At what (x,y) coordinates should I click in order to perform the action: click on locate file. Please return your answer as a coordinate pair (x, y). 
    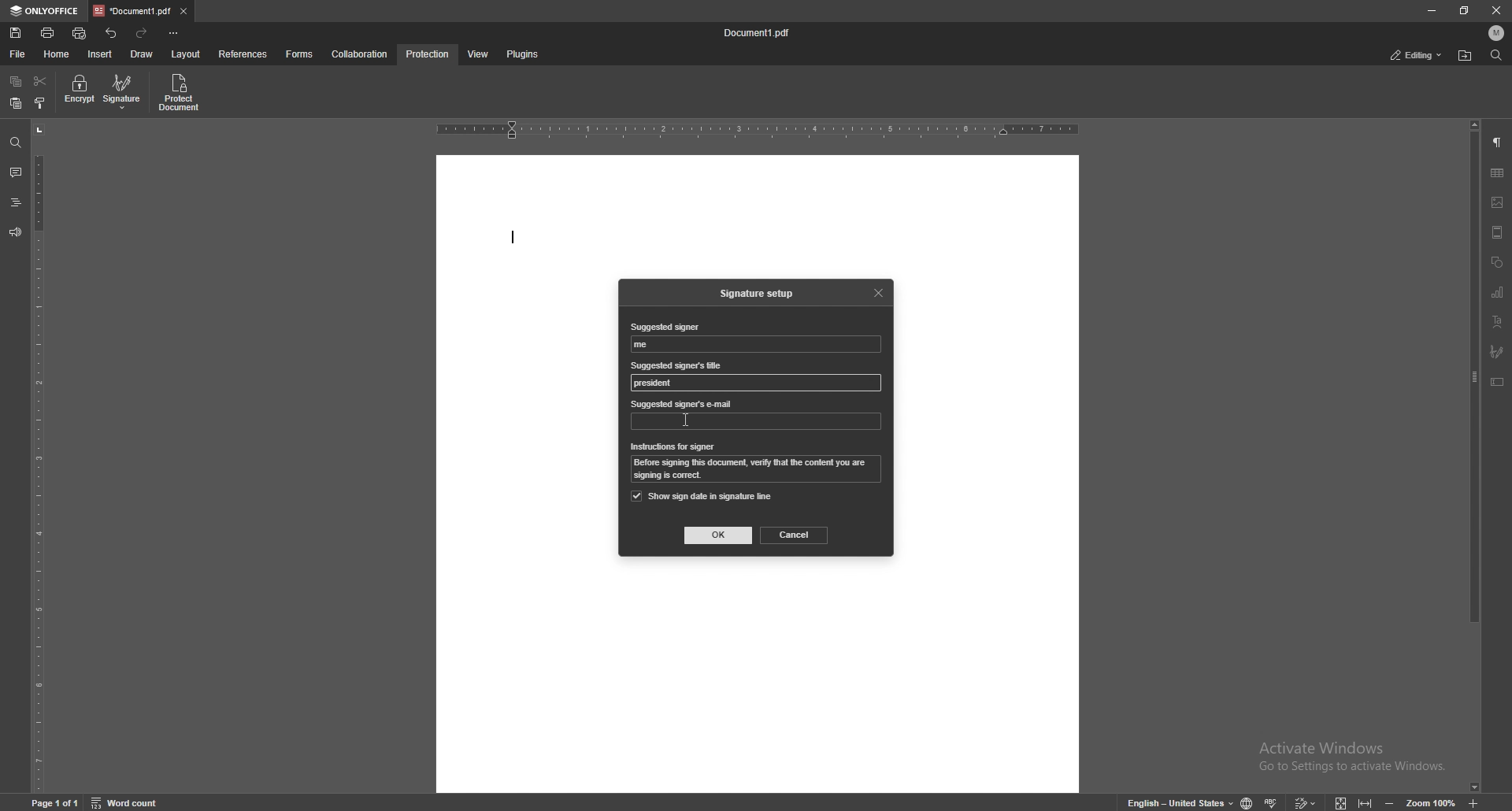
    Looking at the image, I should click on (1465, 57).